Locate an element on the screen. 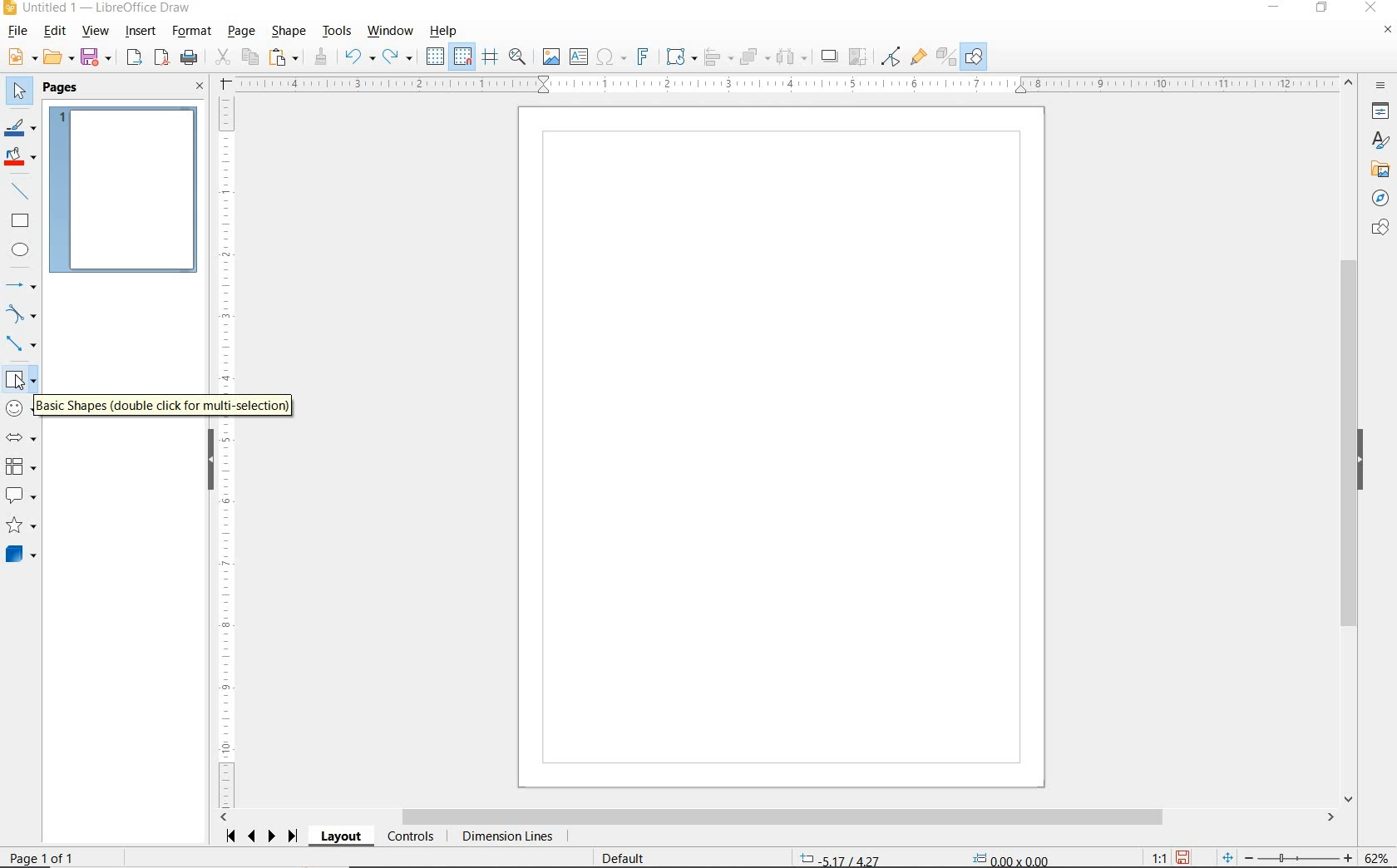 The height and width of the screenshot is (868, 1397). RULER is located at coordinates (787, 84).